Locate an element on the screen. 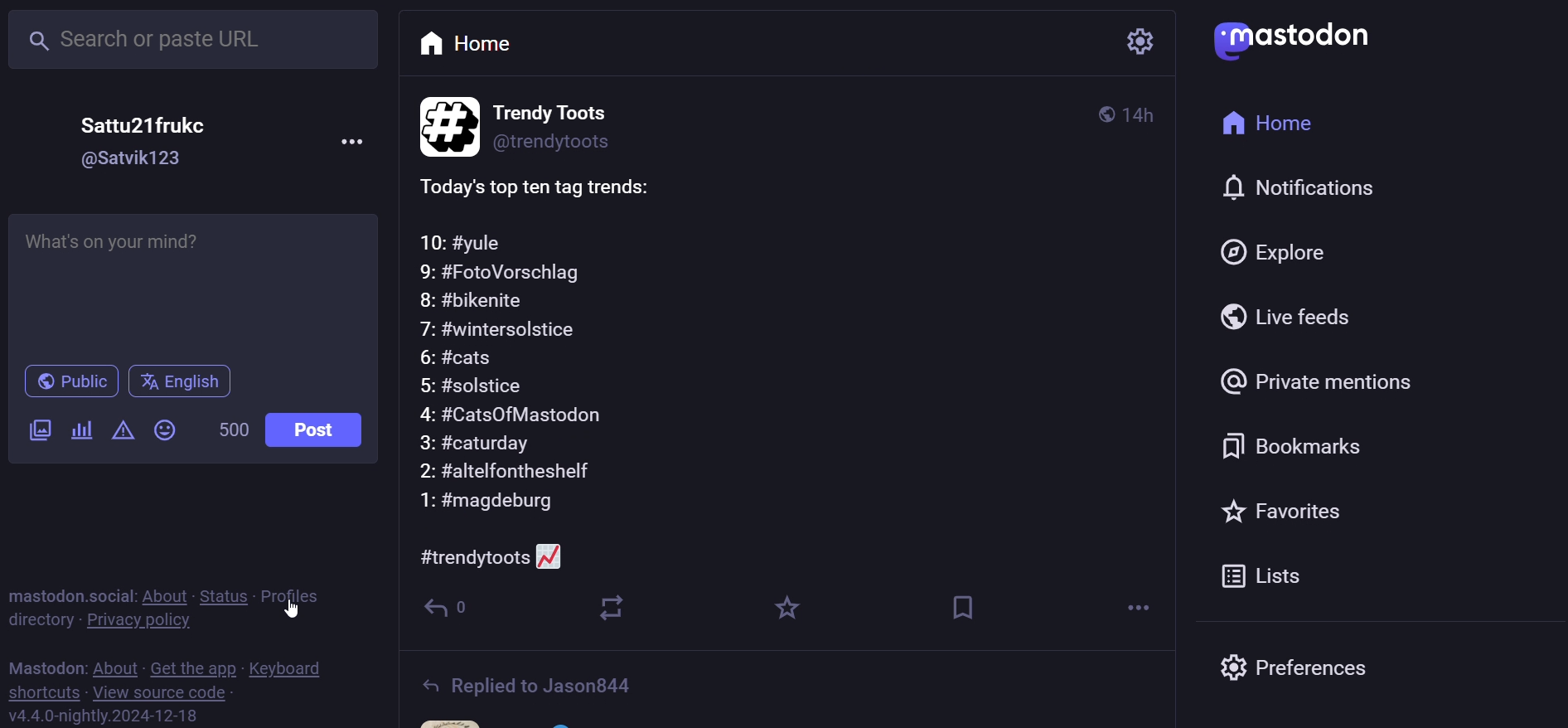 The height and width of the screenshot is (728, 1568). english is located at coordinates (181, 384).